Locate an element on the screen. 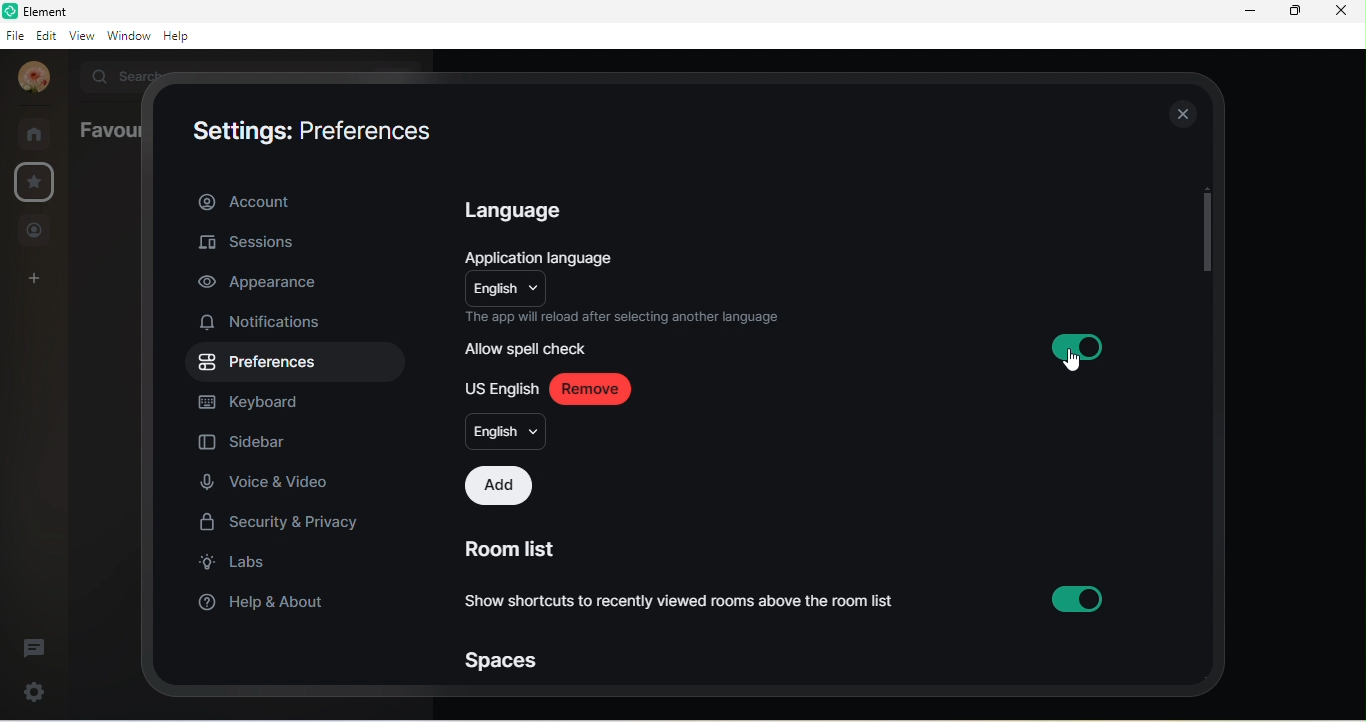 Image resolution: width=1366 pixels, height=722 pixels. Enabled spellcheck option is located at coordinates (1076, 347).